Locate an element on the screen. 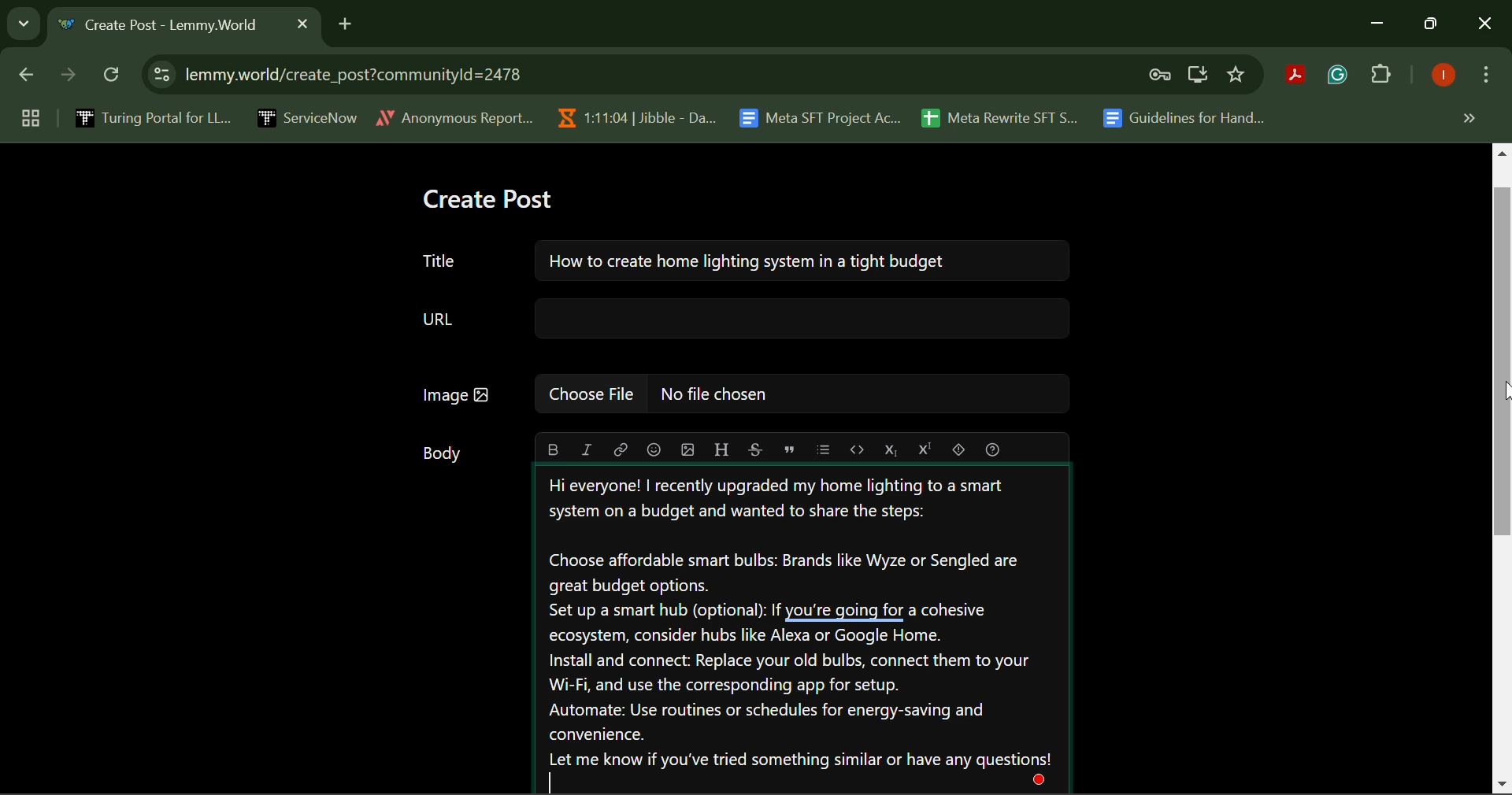 The width and height of the screenshot is (1512, 795). strikethrough is located at coordinates (756, 450).